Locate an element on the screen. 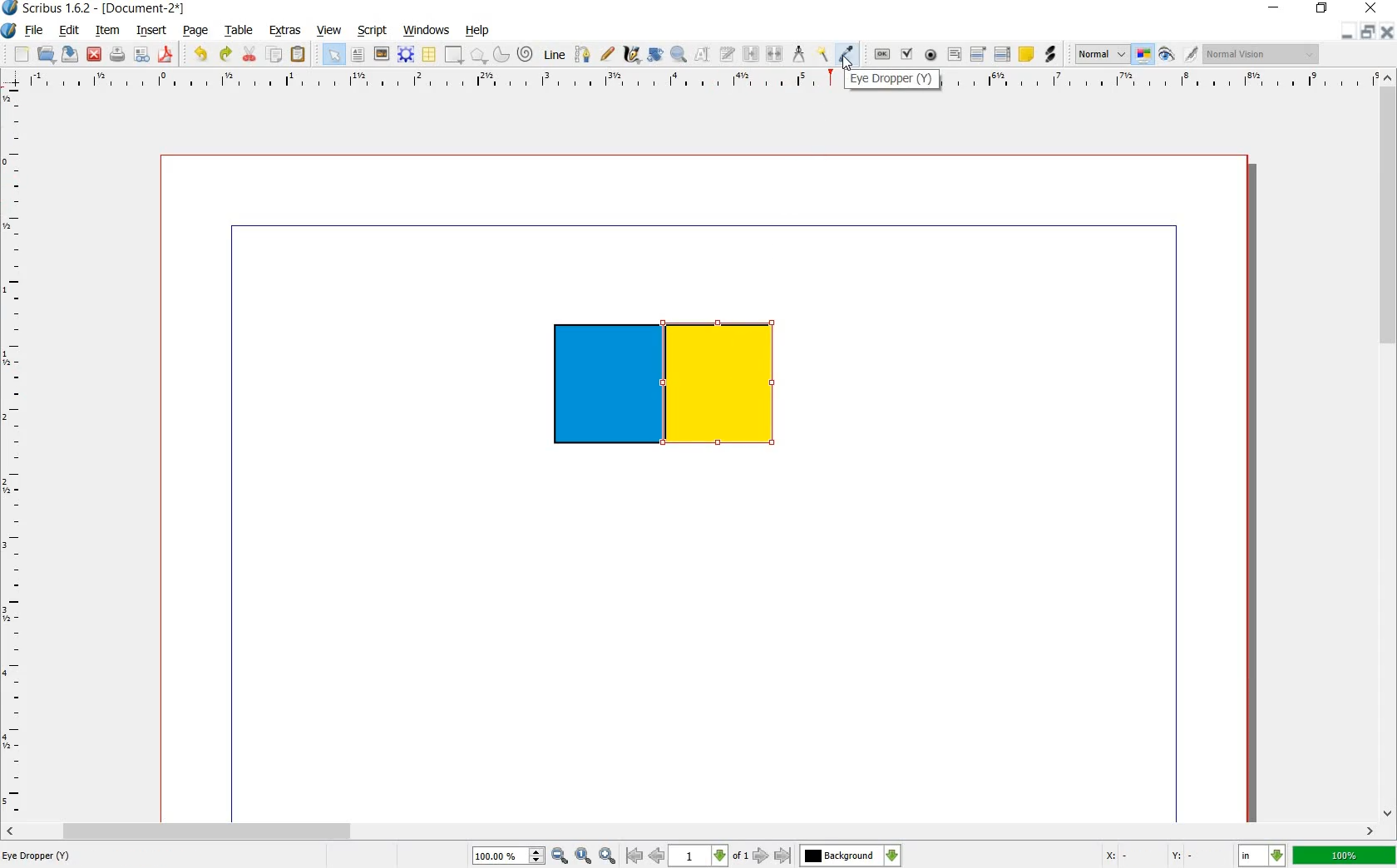 This screenshot has height=868, width=1397. redo is located at coordinates (226, 56).